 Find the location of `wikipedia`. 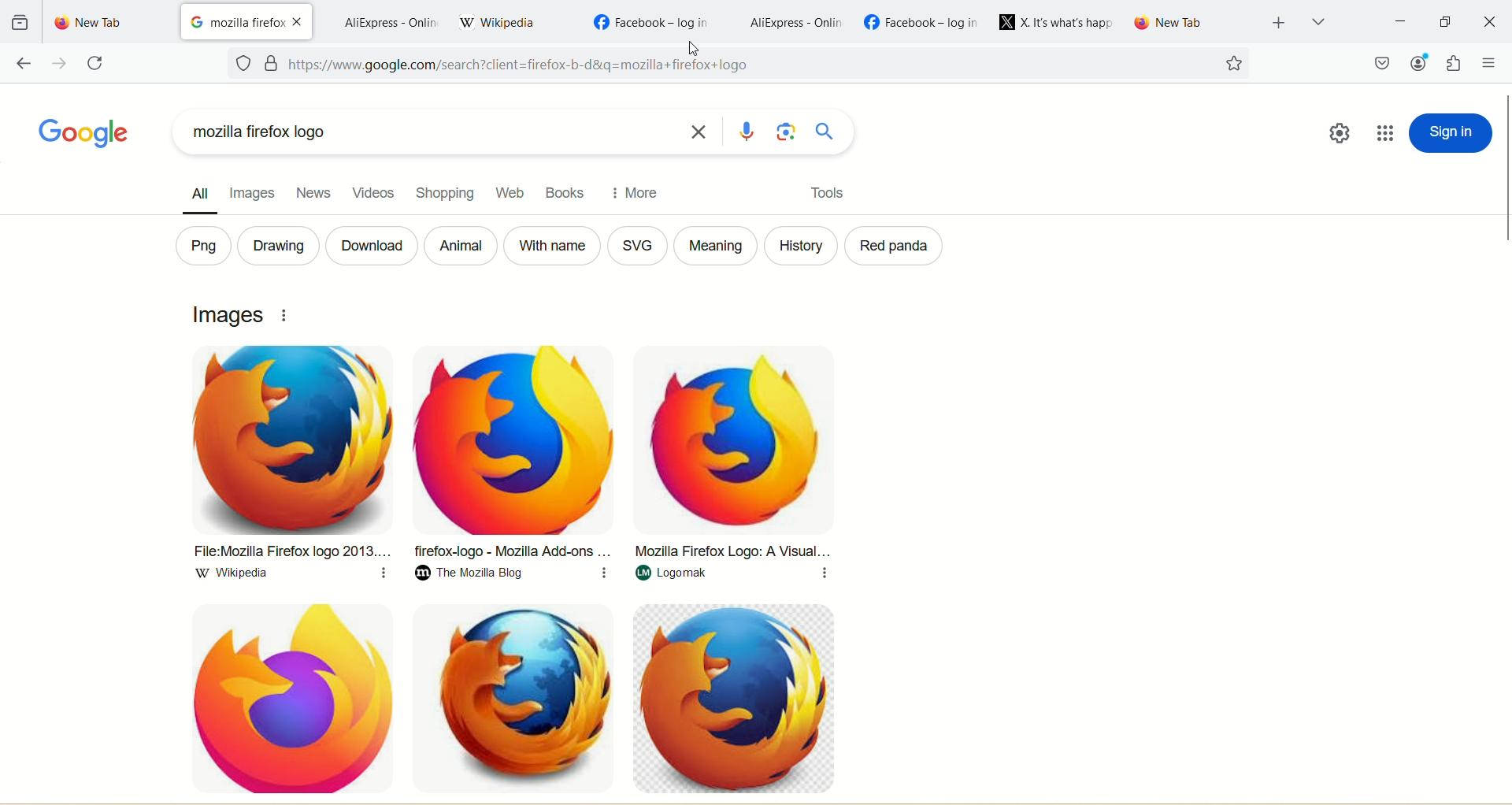

wikipedia is located at coordinates (513, 21).